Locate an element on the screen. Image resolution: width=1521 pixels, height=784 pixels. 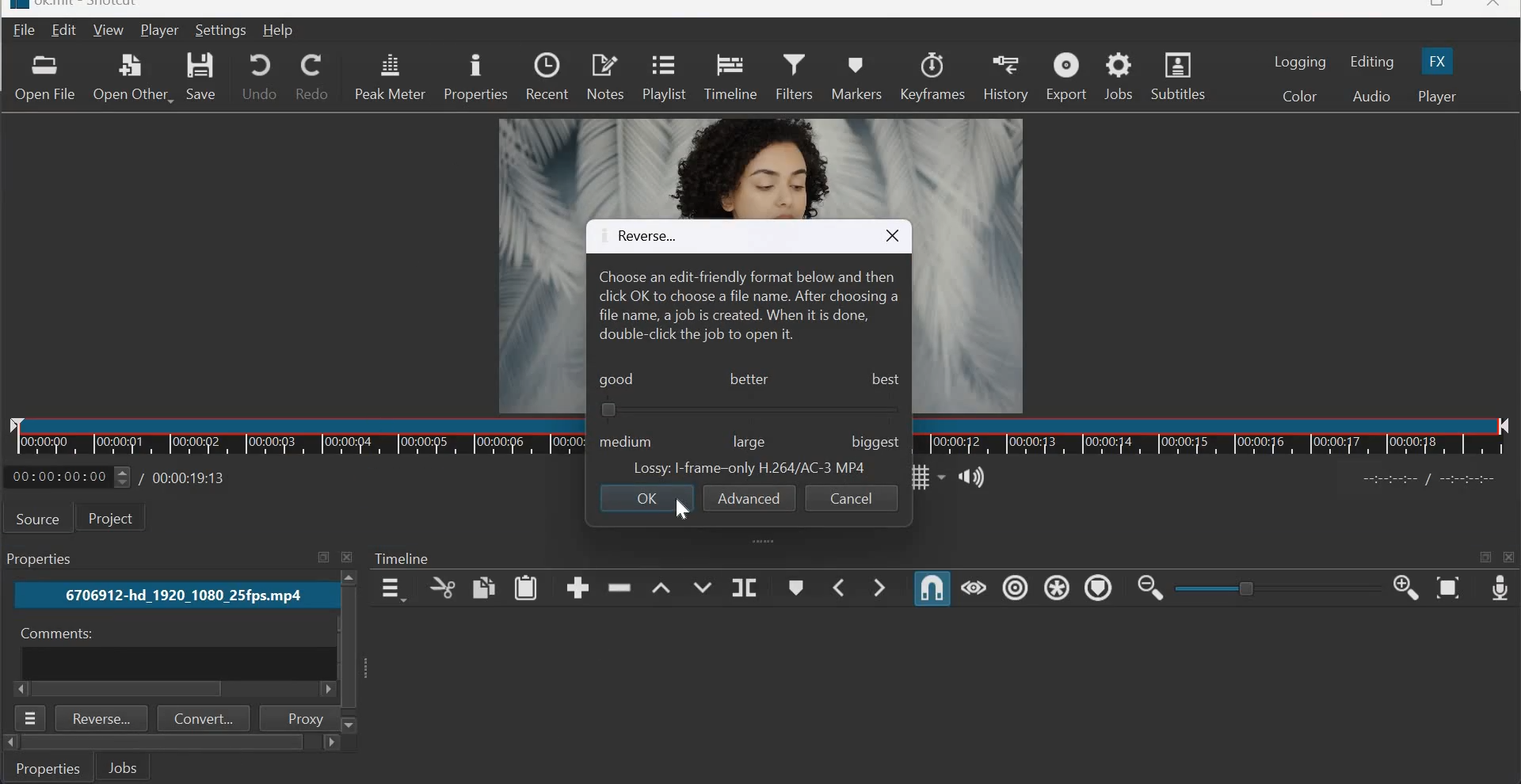
Open other is located at coordinates (132, 75).